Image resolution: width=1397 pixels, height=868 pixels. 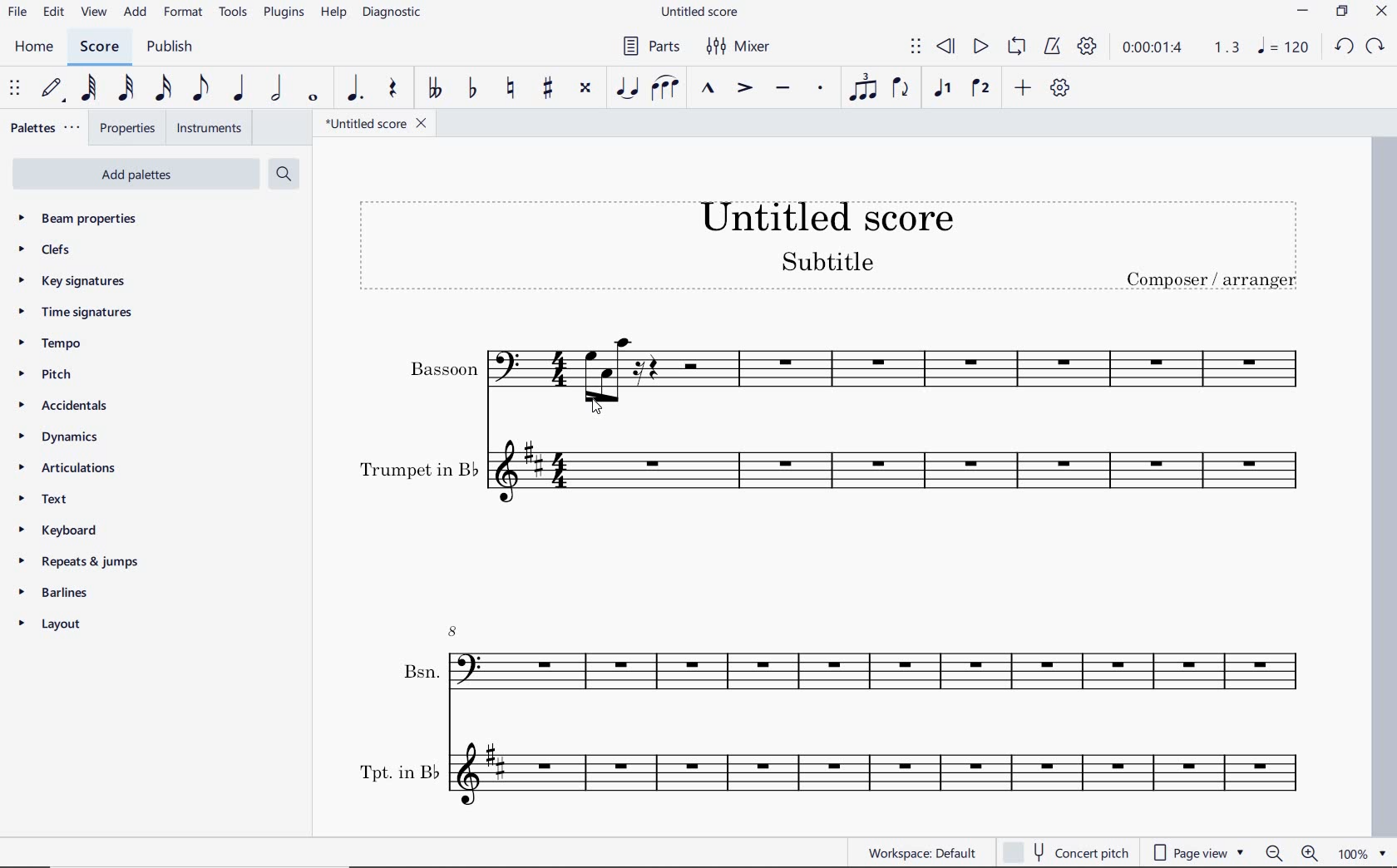 What do you see at coordinates (739, 47) in the screenshot?
I see `mixer` at bounding box center [739, 47].